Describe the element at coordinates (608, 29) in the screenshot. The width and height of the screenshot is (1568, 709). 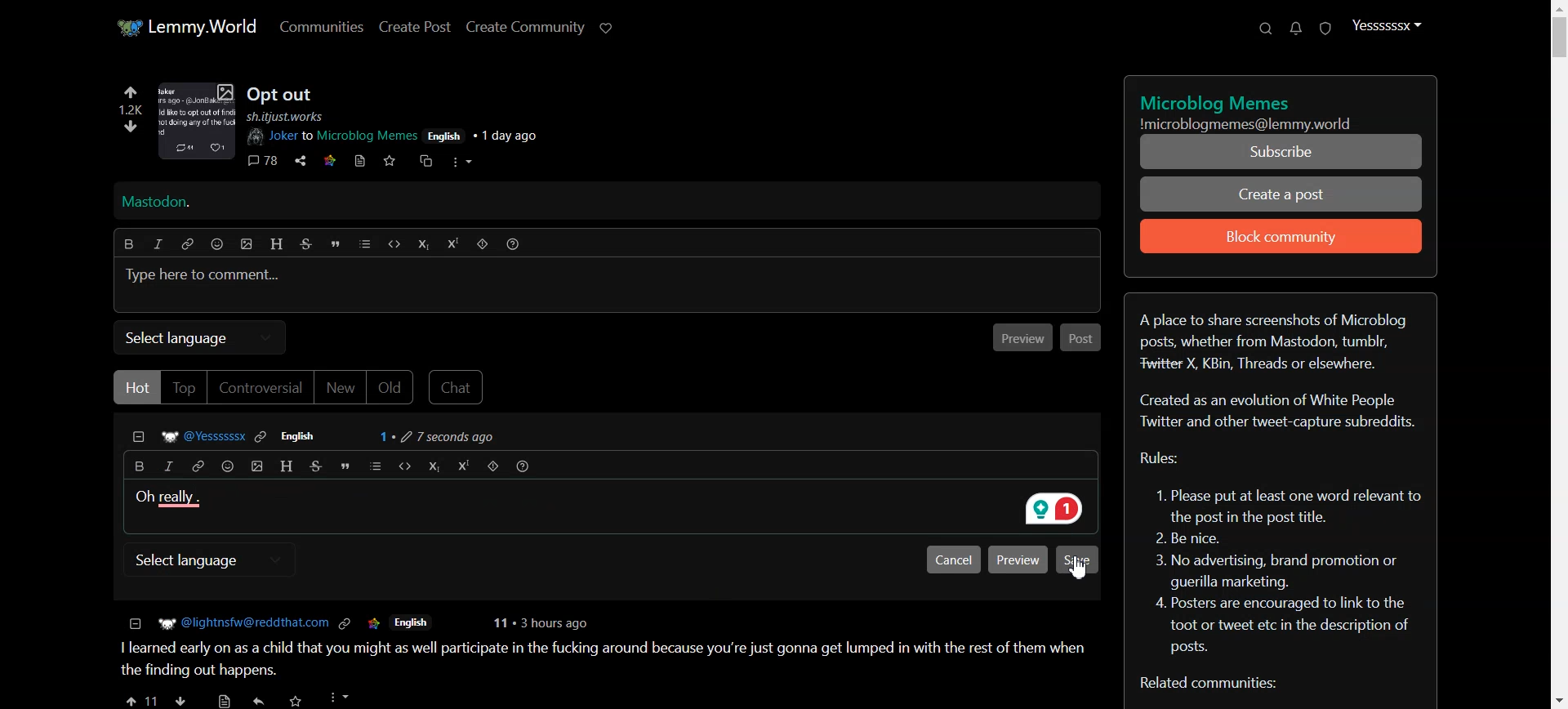
I see `Support Lemmy` at that location.